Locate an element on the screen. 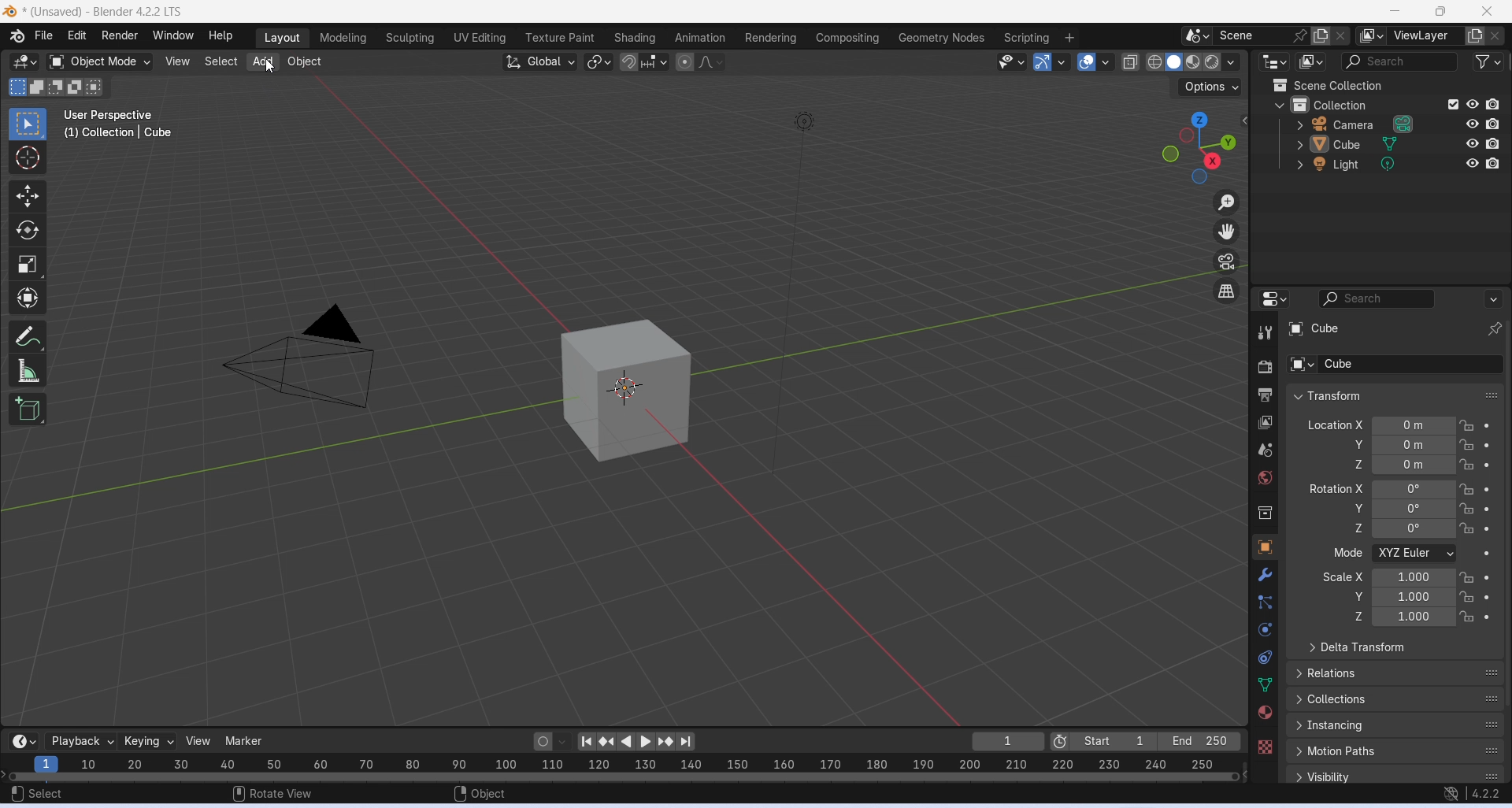 Image resolution: width=1512 pixels, height=808 pixels. Transform is located at coordinates (27, 297).